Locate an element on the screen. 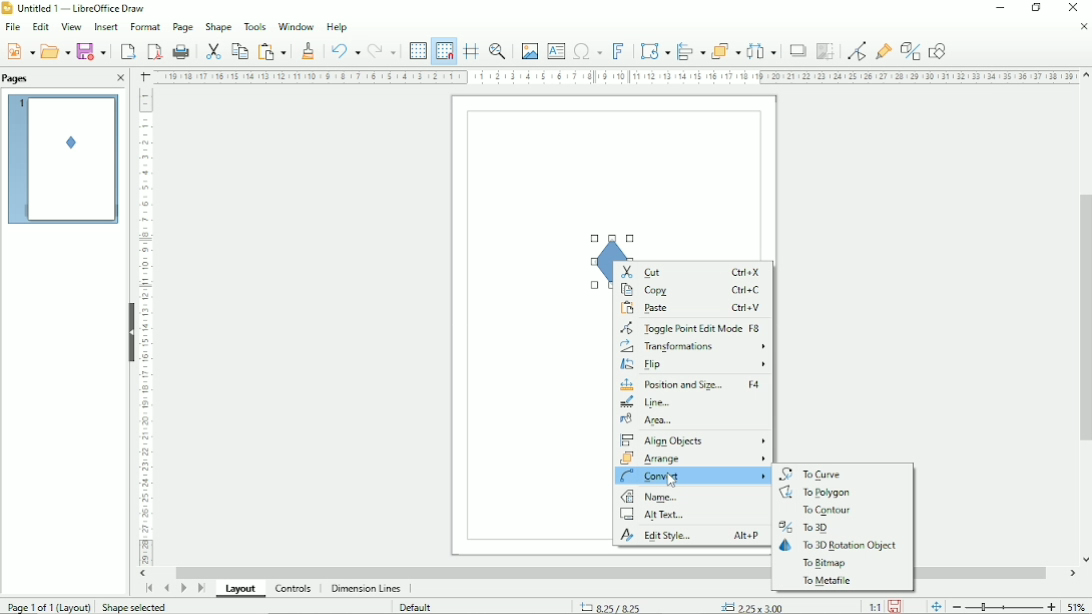  Flip is located at coordinates (692, 367).